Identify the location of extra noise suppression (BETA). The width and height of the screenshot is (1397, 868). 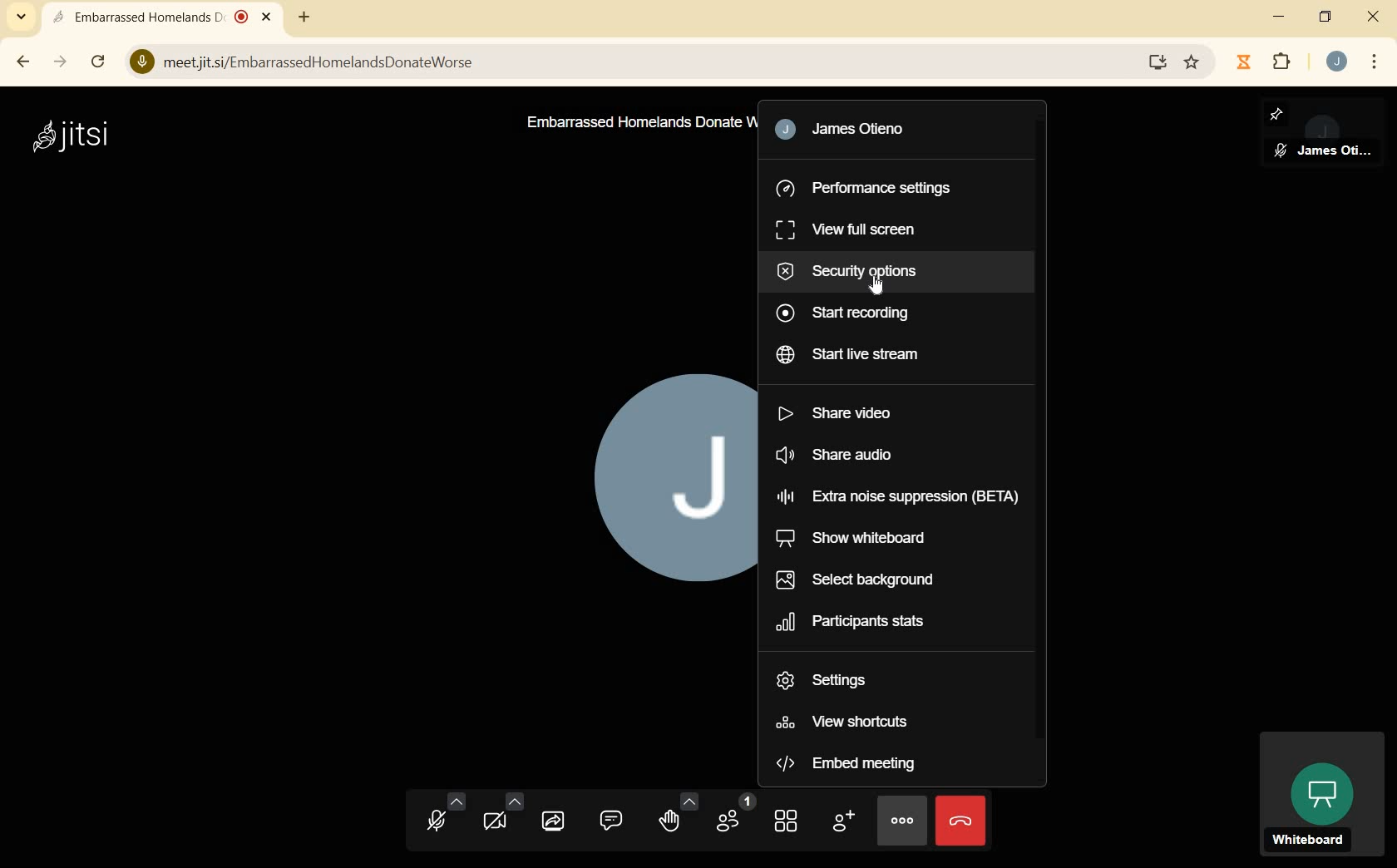
(901, 499).